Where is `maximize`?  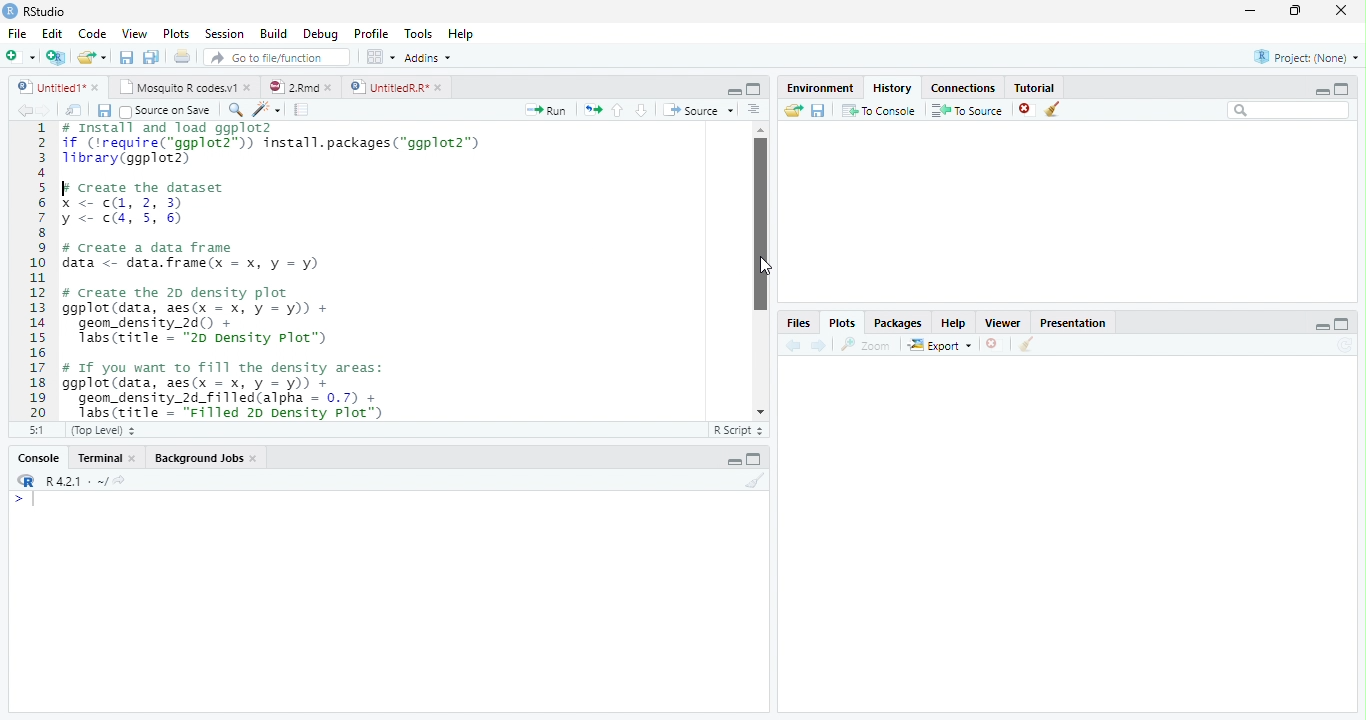
maximize is located at coordinates (1297, 10).